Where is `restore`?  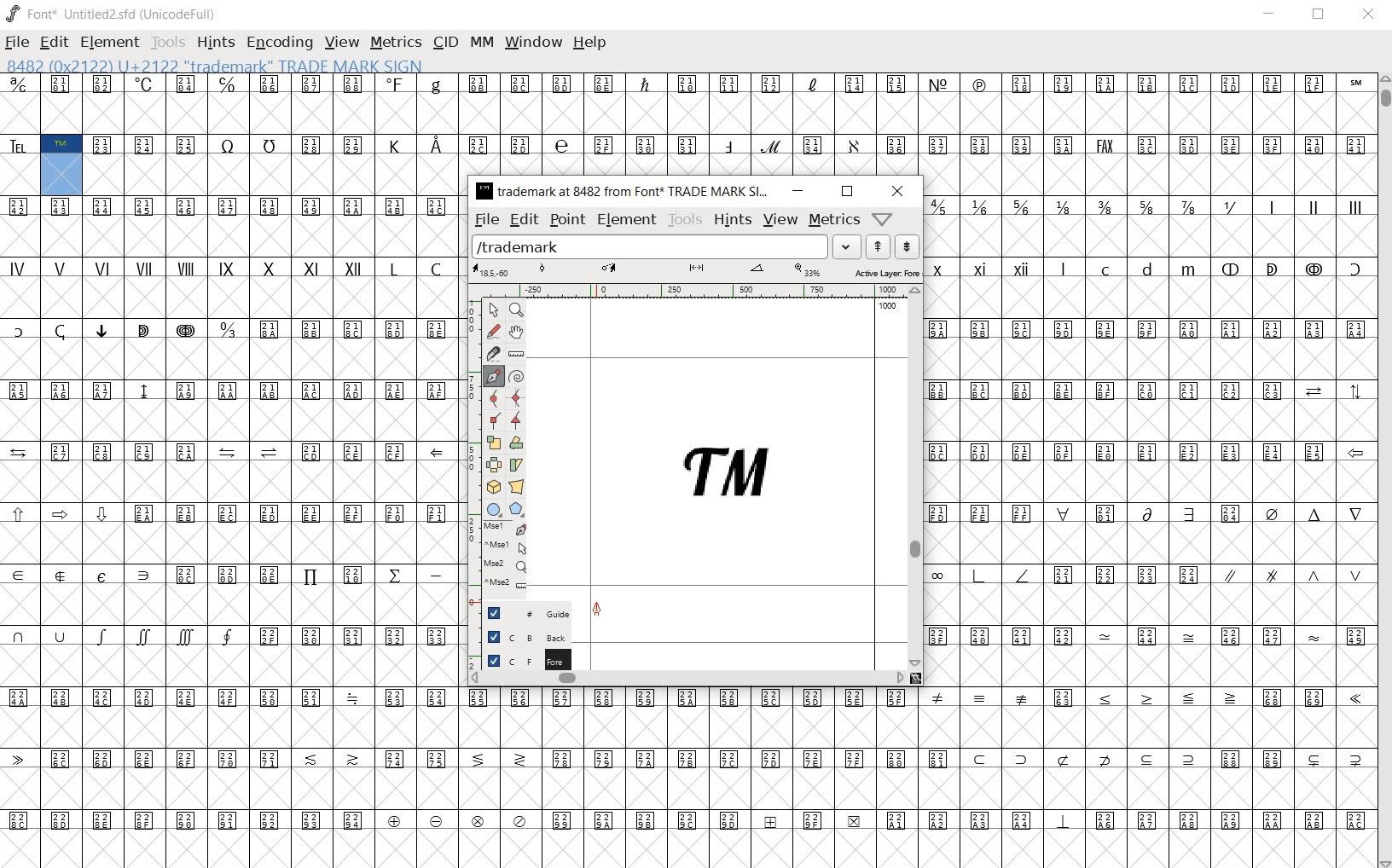
restore is located at coordinates (848, 192).